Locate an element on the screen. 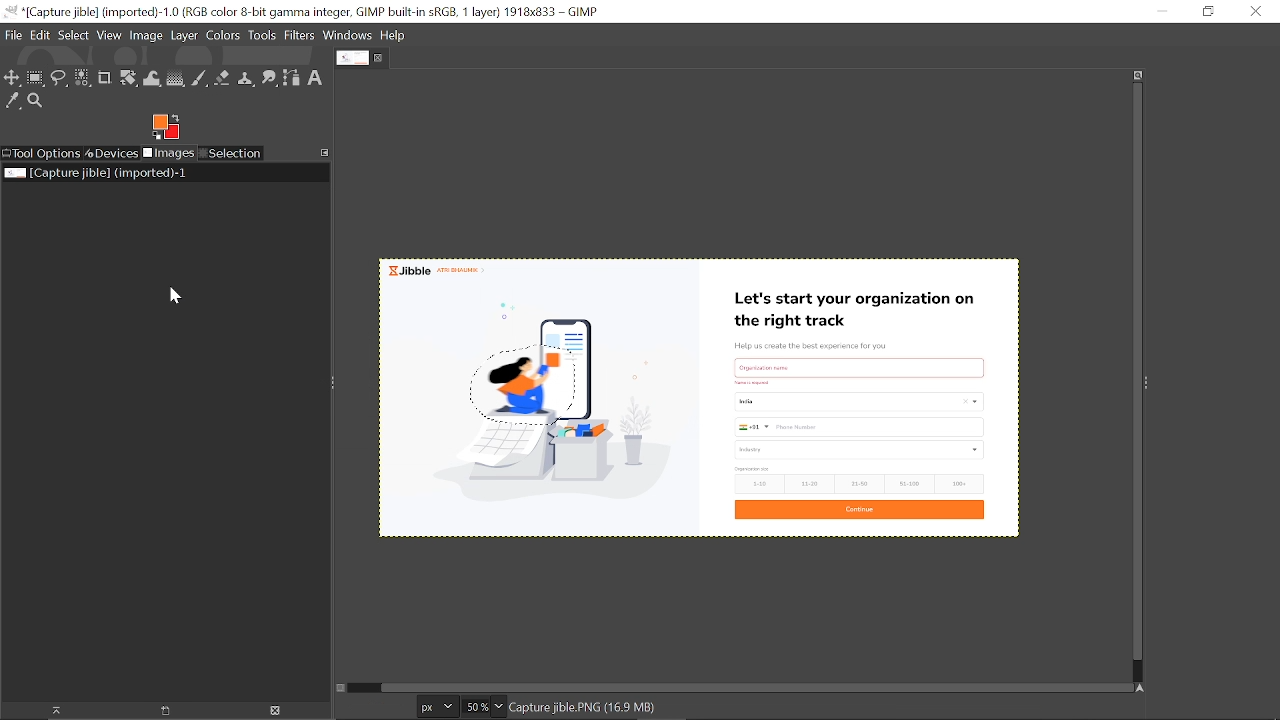 The image size is (1280, 720). Layer is located at coordinates (184, 37).